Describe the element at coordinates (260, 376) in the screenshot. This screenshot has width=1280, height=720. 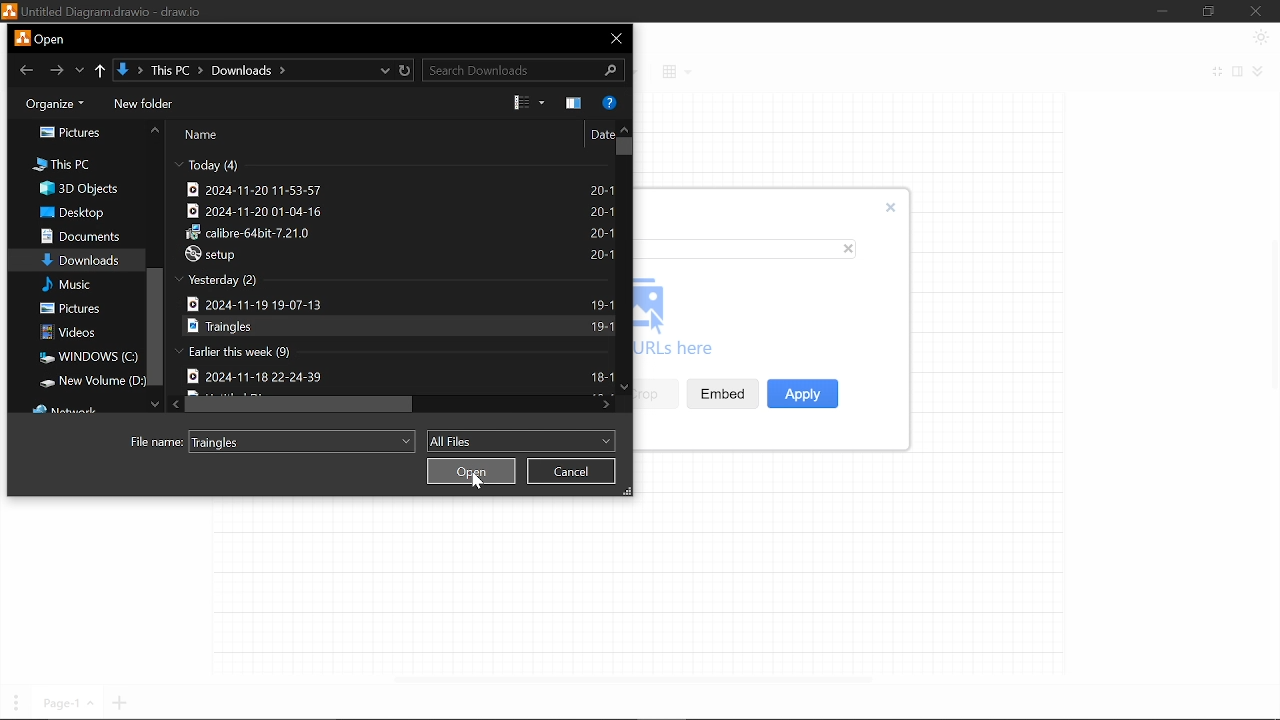
I see `2024-11-18 22-24-39` at that location.